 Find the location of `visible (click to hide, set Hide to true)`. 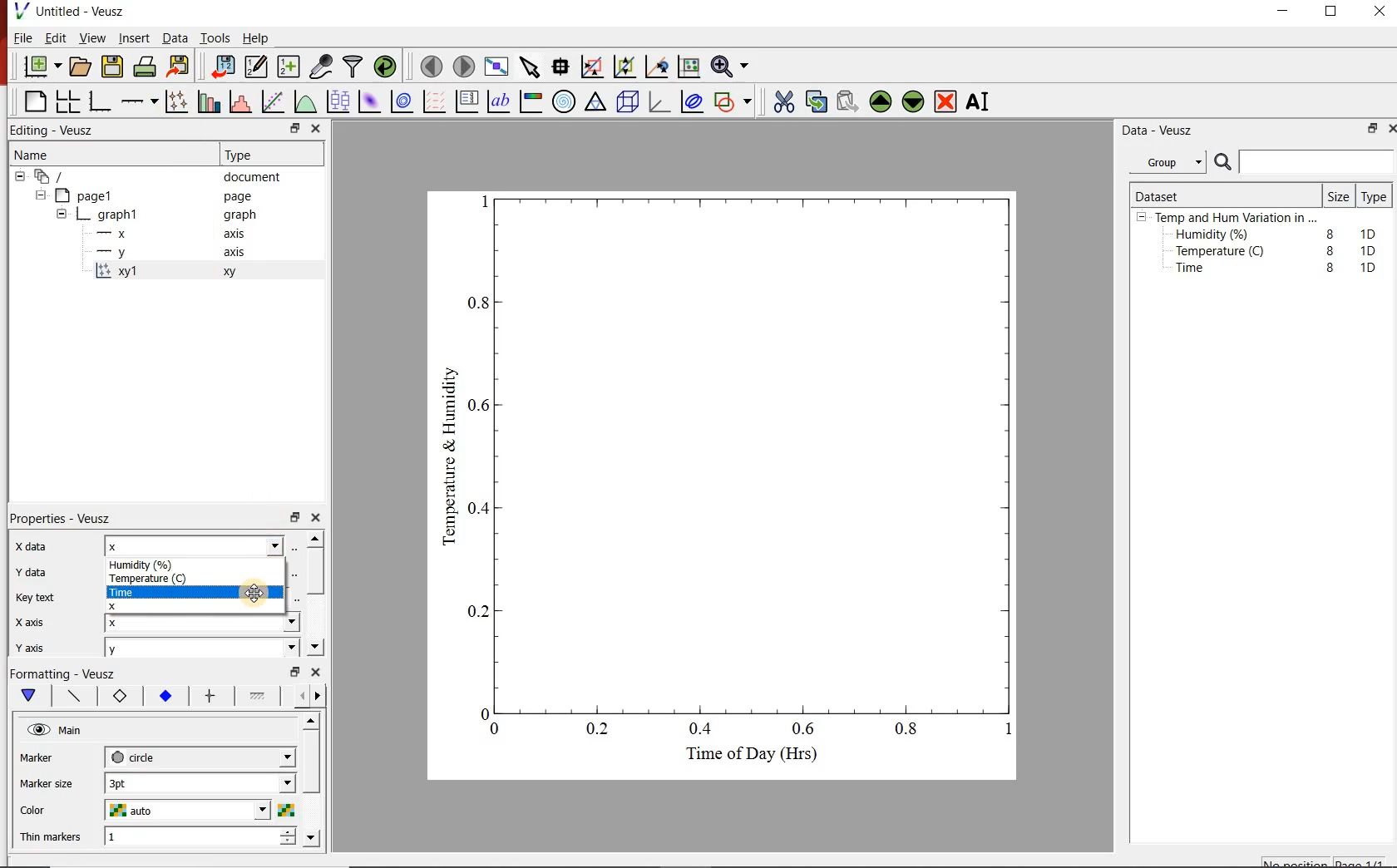

visible (click to hide, set Hide to true) is located at coordinates (37, 731).